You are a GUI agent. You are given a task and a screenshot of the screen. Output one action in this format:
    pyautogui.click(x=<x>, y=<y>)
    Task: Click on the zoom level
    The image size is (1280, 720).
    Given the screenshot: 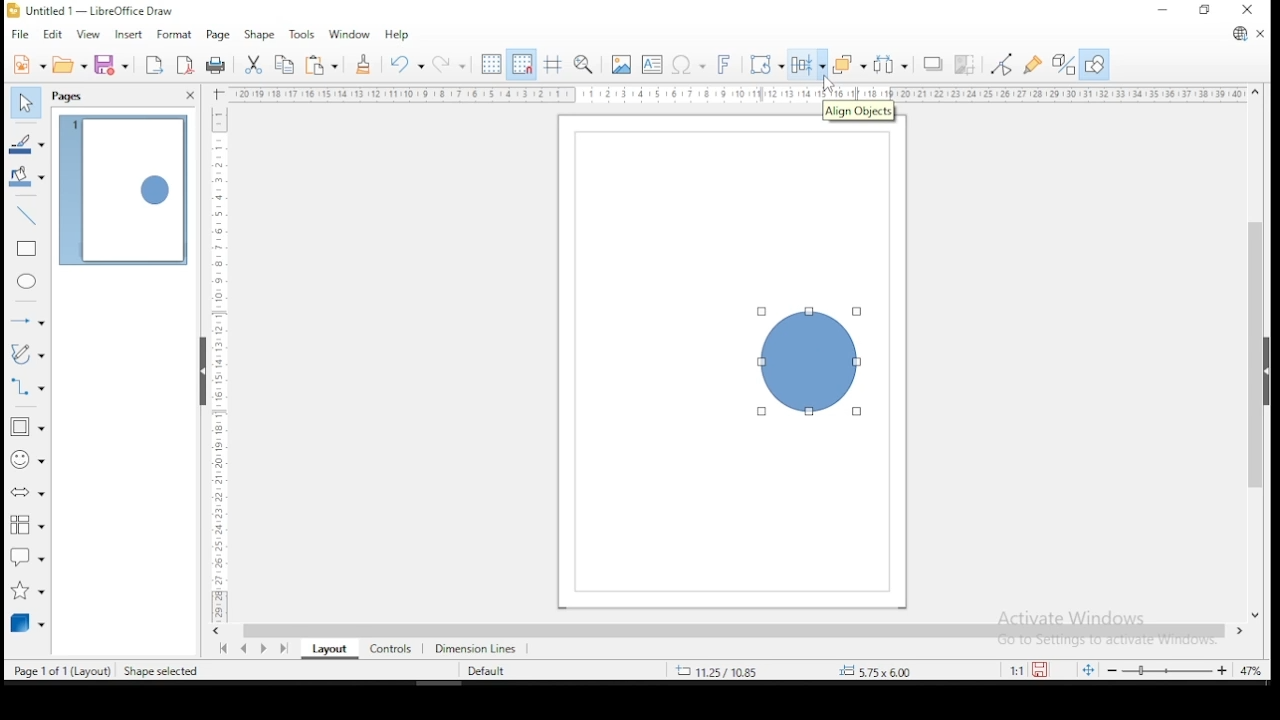 What is the action you would take?
    pyautogui.click(x=1251, y=673)
    